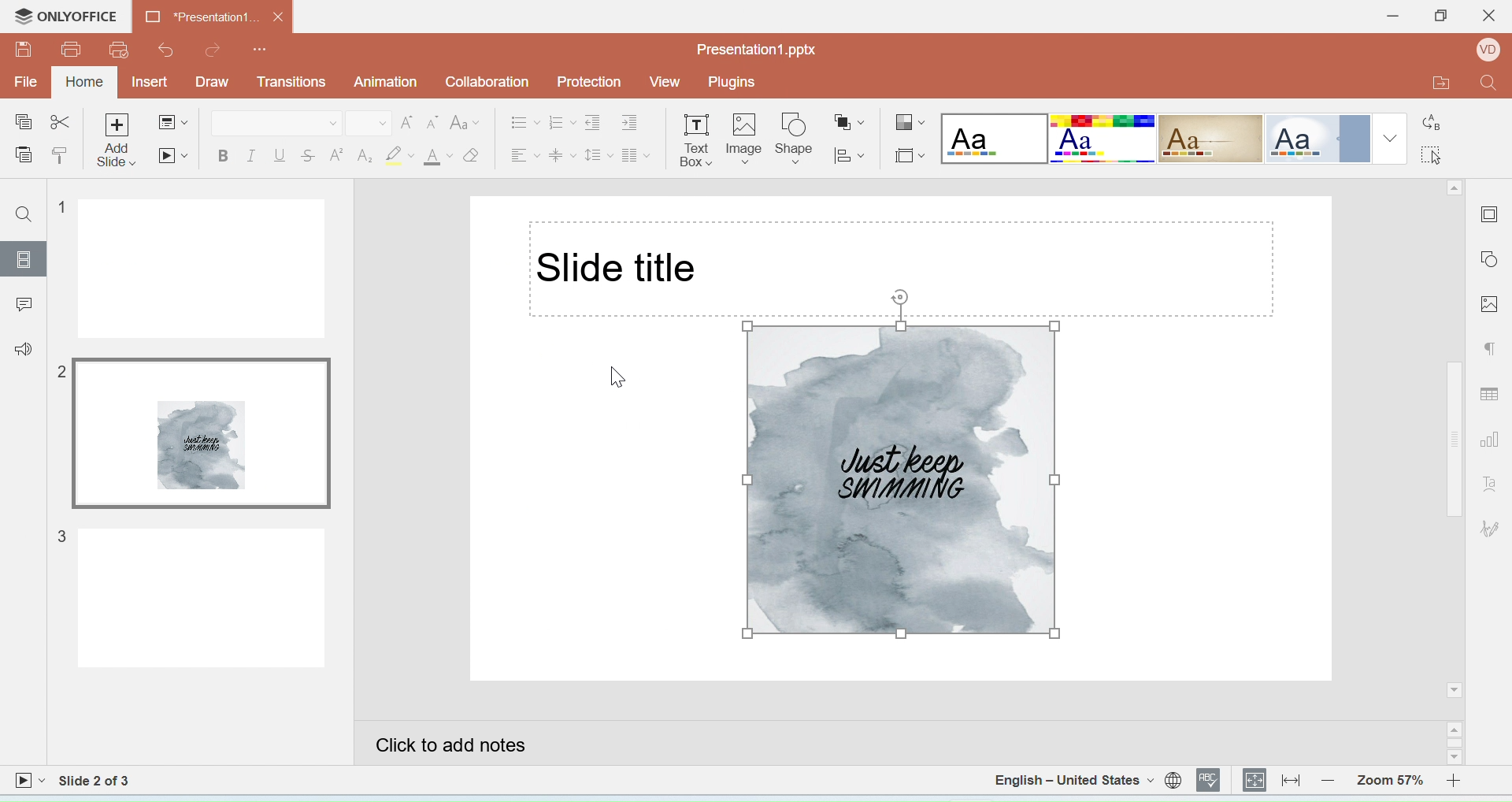  Describe the element at coordinates (1460, 779) in the screenshot. I see `Zoom in` at that location.